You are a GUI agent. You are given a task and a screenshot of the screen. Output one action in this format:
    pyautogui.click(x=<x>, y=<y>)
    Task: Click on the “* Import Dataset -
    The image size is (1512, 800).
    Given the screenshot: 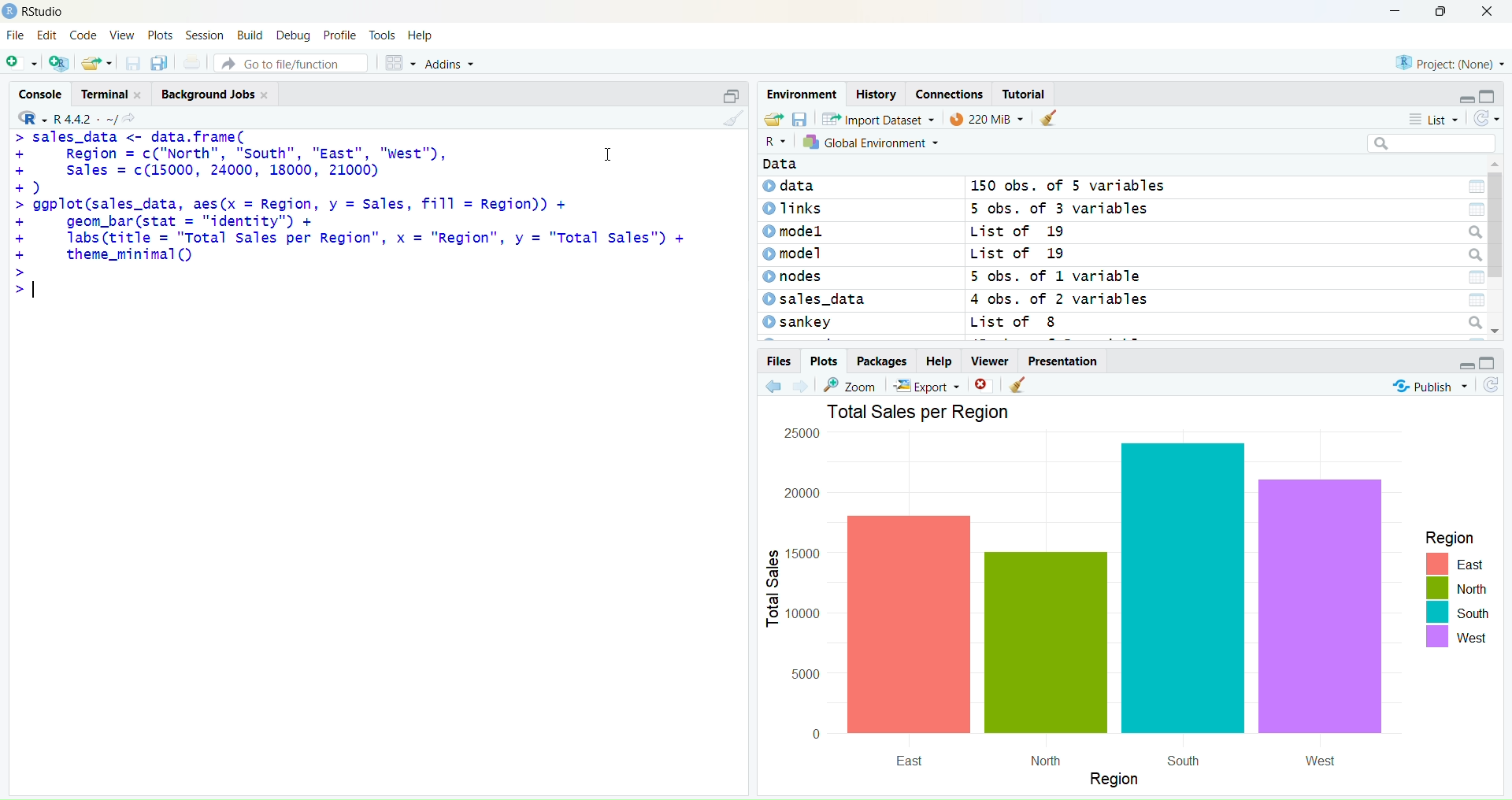 What is the action you would take?
    pyautogui.click(x=876, y=117)
    